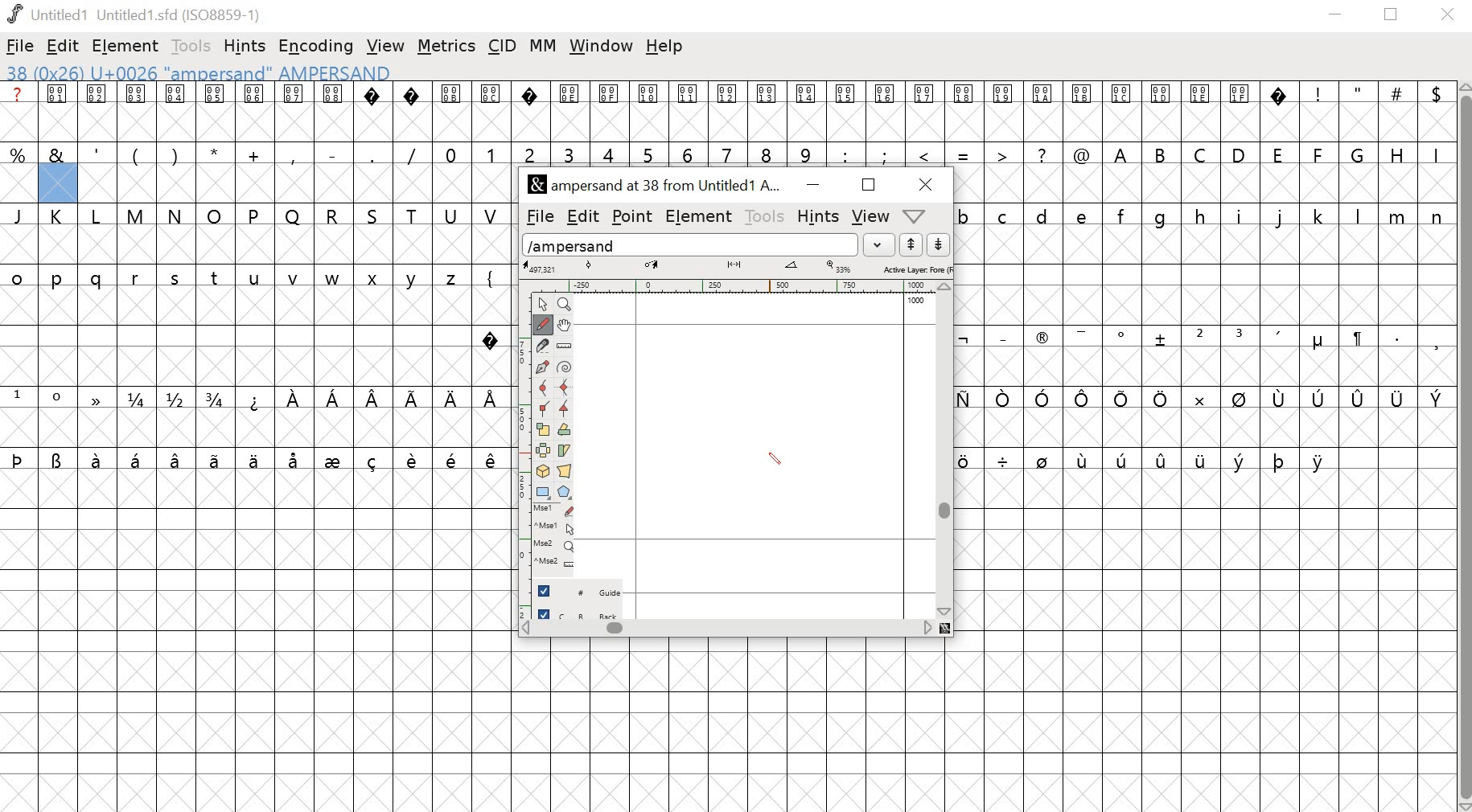 The width and height of the screenshot is (1472, 812). I want to click on N, so click(176, 215).